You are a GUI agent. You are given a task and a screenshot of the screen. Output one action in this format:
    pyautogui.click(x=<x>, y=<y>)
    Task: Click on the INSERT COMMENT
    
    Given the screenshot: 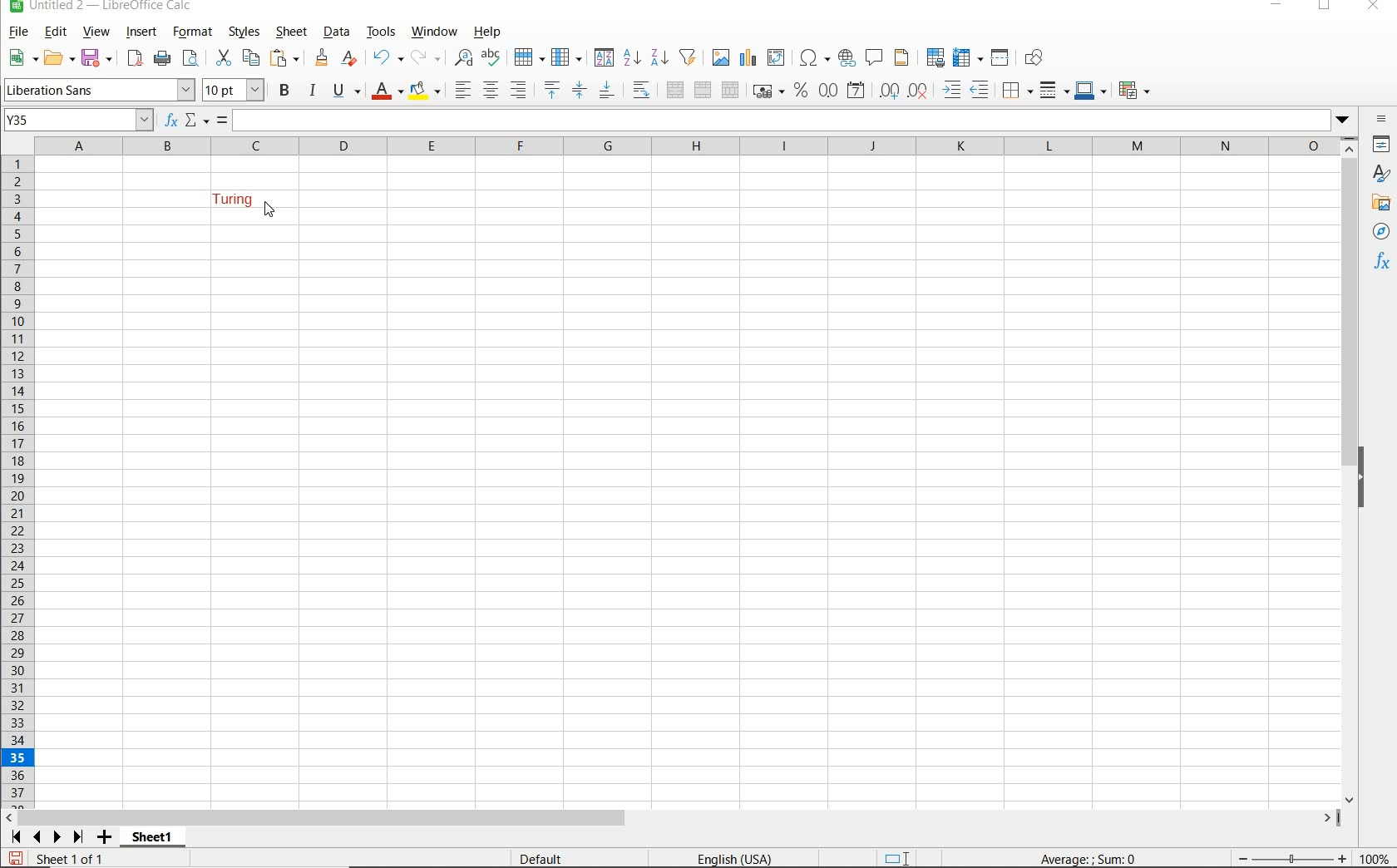 What is the action you would take?
    pyautogui.click(x=875, y=57)
    